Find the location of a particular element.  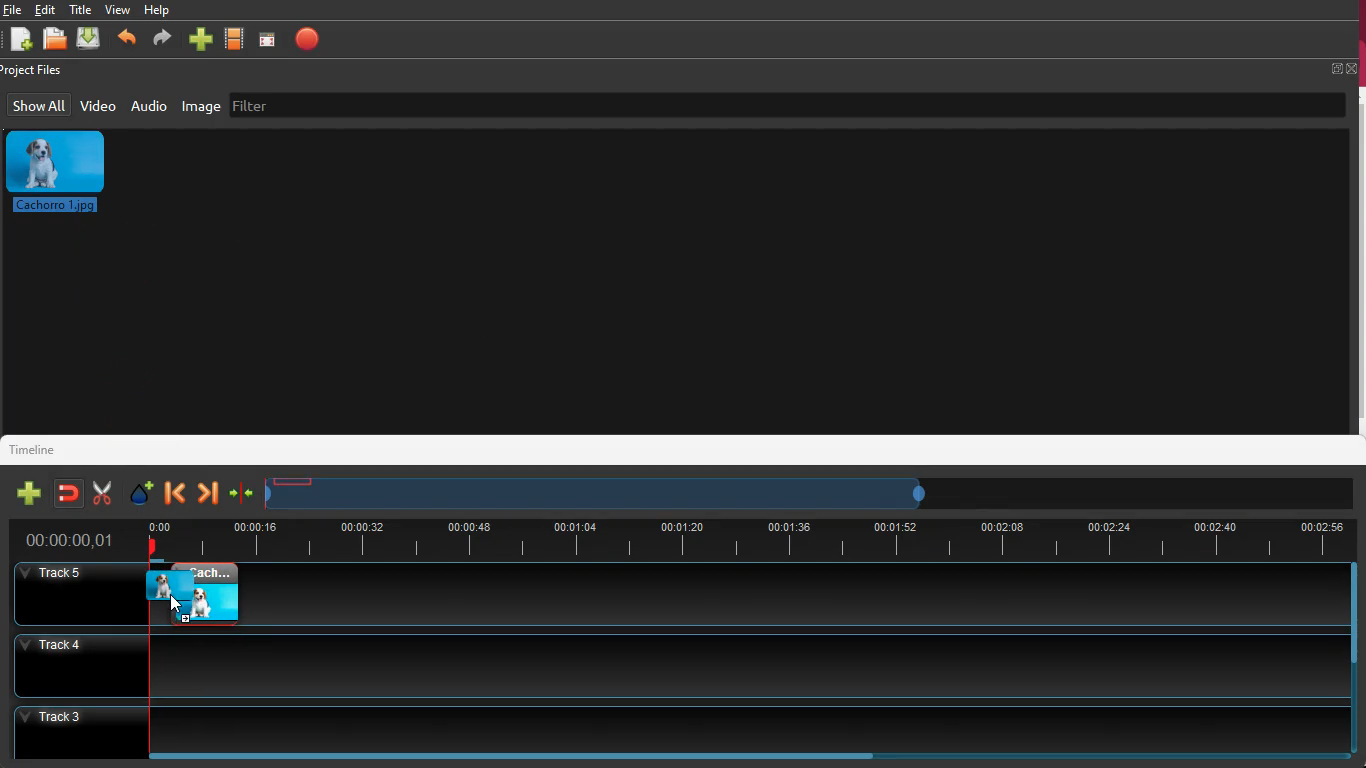

video is located at coordinates (98, 105).